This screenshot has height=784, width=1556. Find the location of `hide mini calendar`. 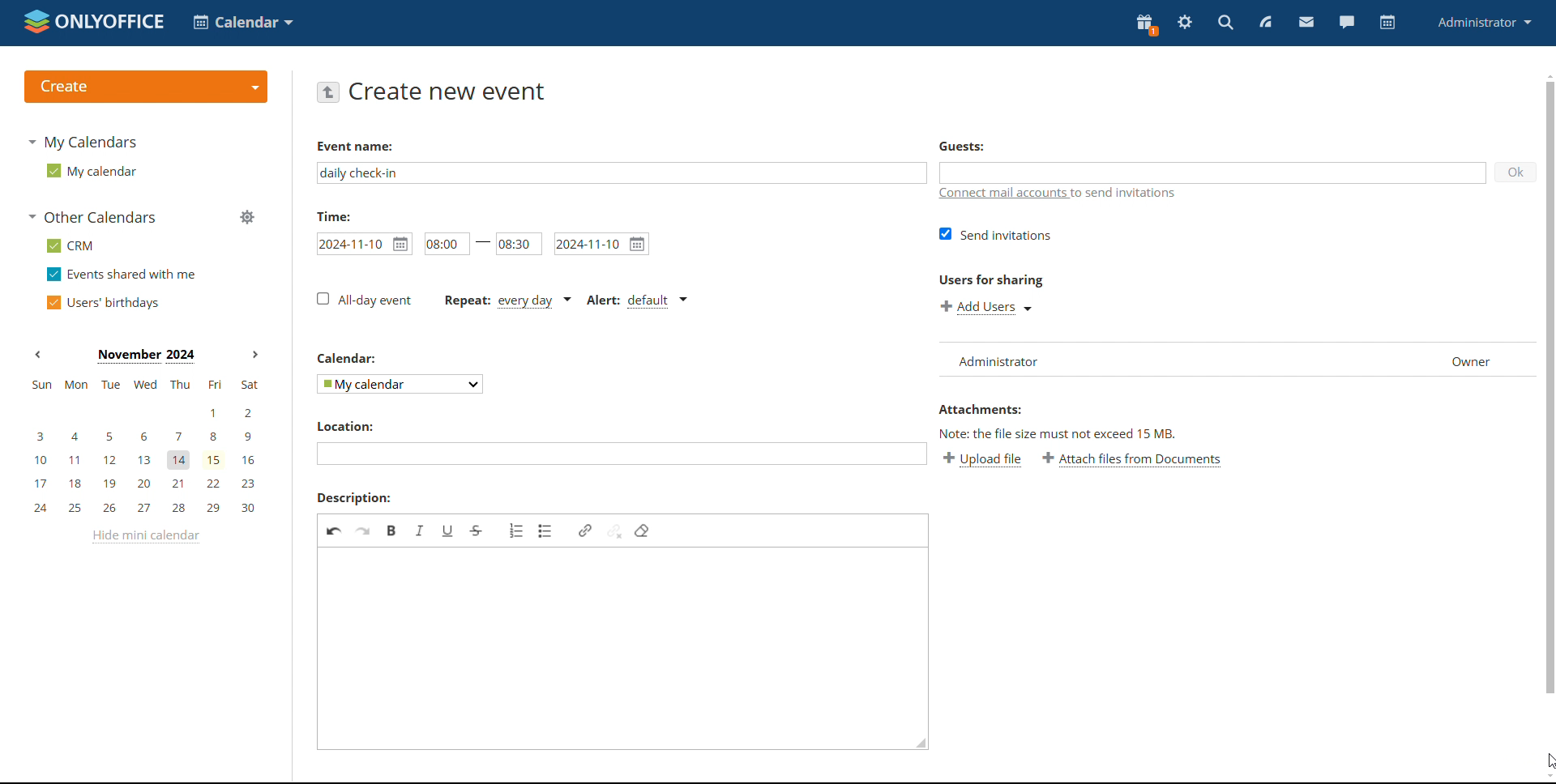

hide mini calendar is located at coordinates (143, 537).